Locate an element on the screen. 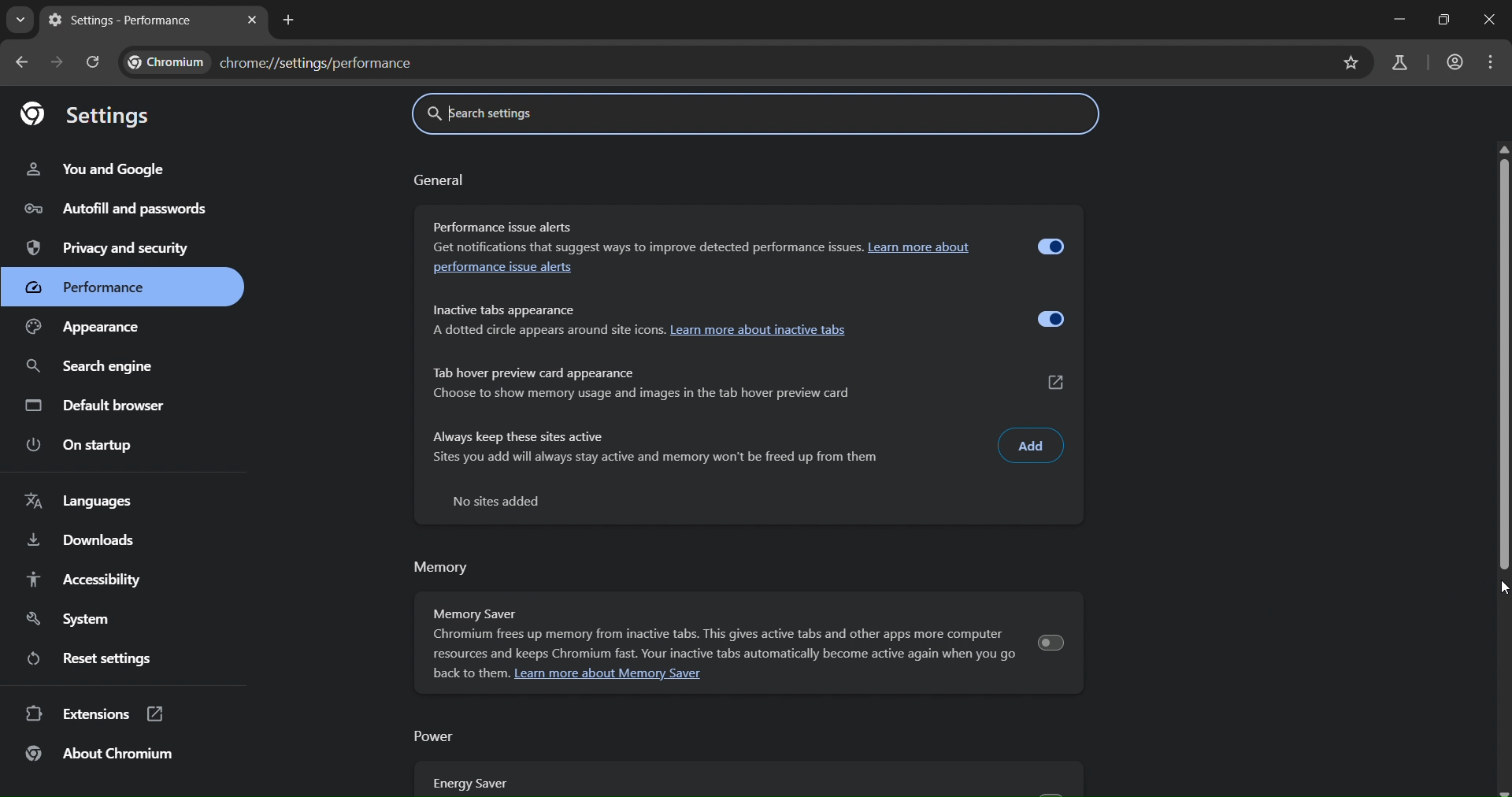  search labs is located at coordinates (1402, 64).